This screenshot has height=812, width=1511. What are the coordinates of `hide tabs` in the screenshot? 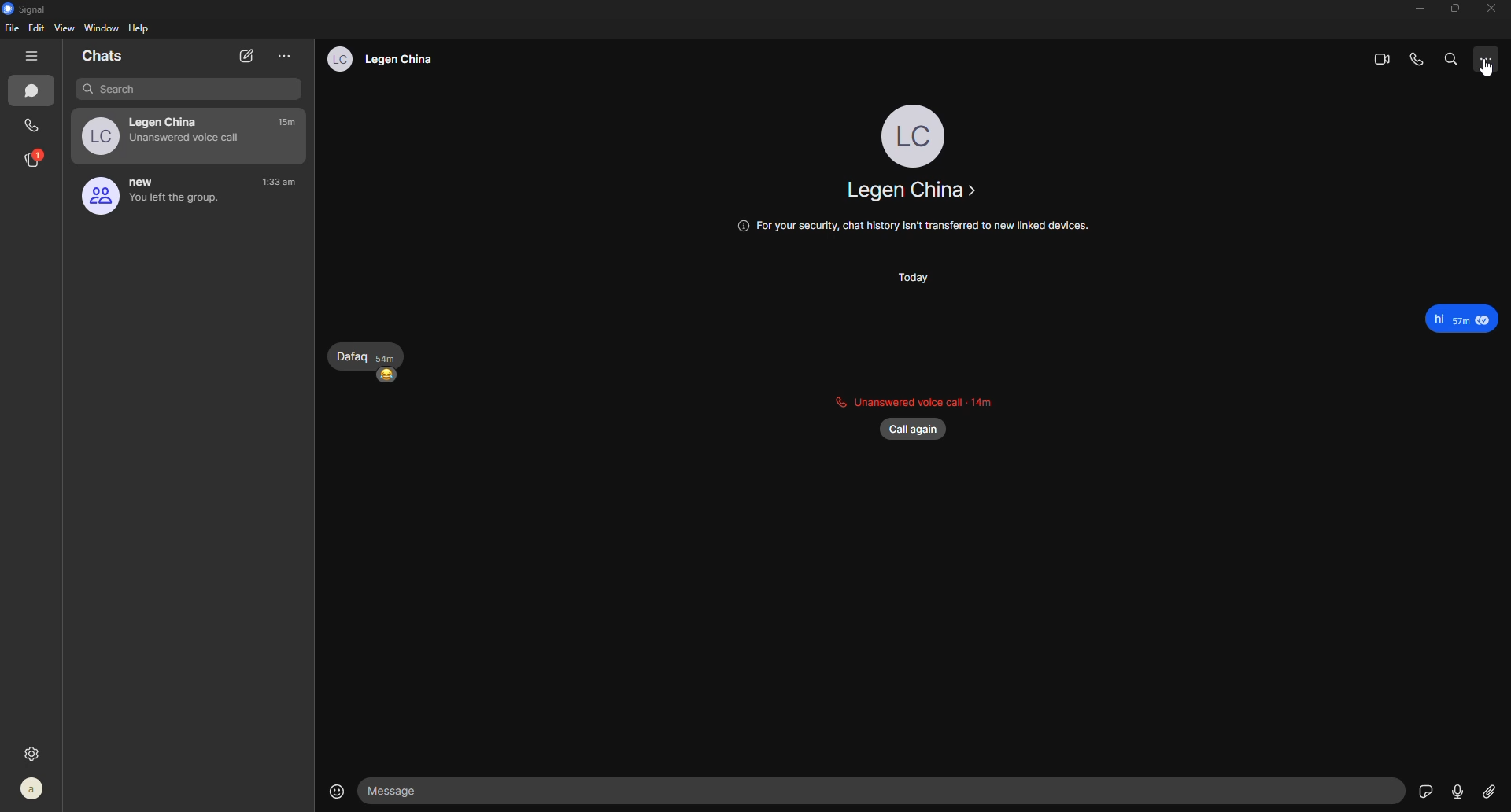 It's located at (31, 56).